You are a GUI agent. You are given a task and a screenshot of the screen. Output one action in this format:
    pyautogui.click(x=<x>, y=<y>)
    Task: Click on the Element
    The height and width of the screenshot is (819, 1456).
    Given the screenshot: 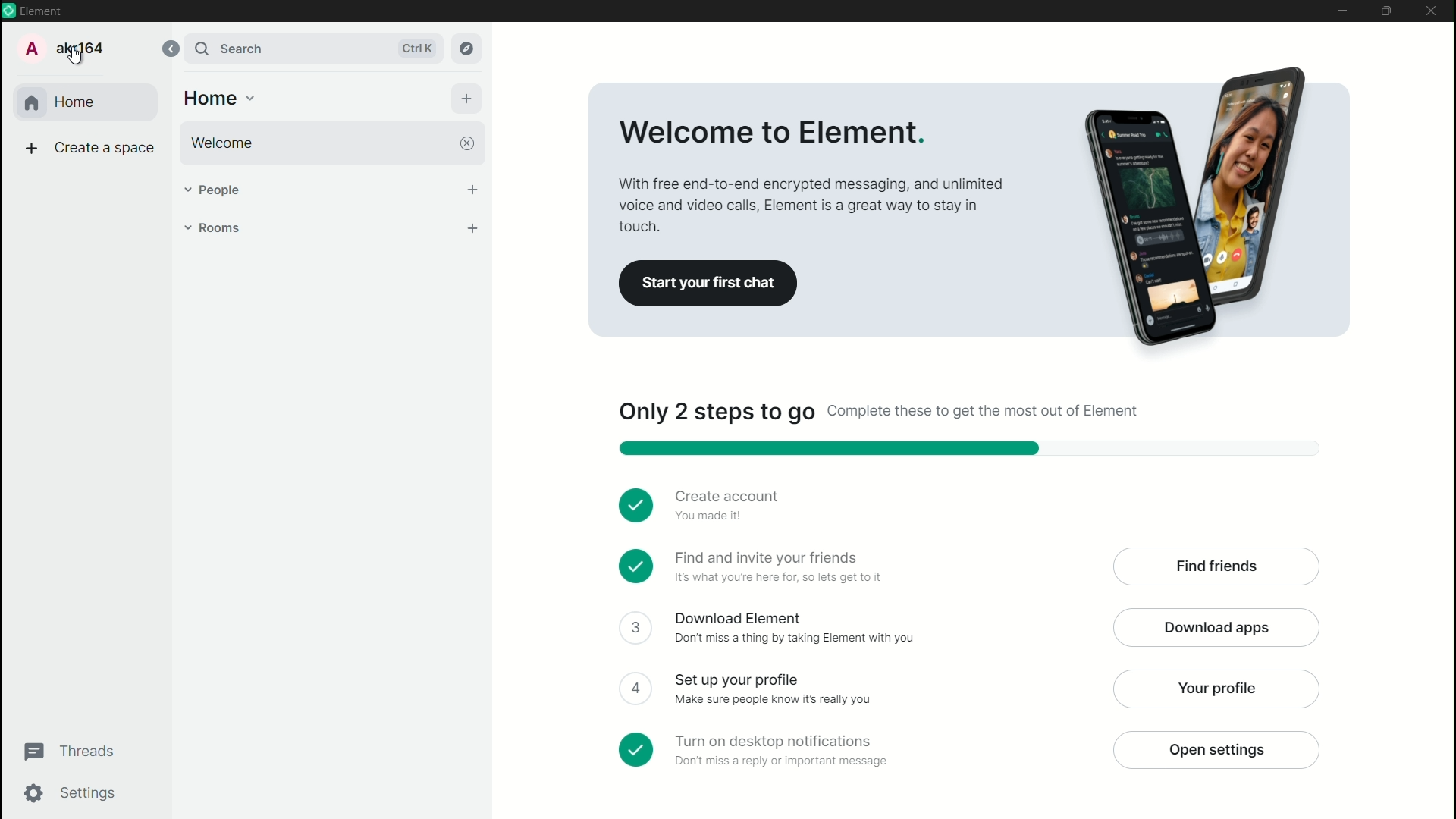 What is the action you would take?
    pyautogui.click(x=45, y=11)
    